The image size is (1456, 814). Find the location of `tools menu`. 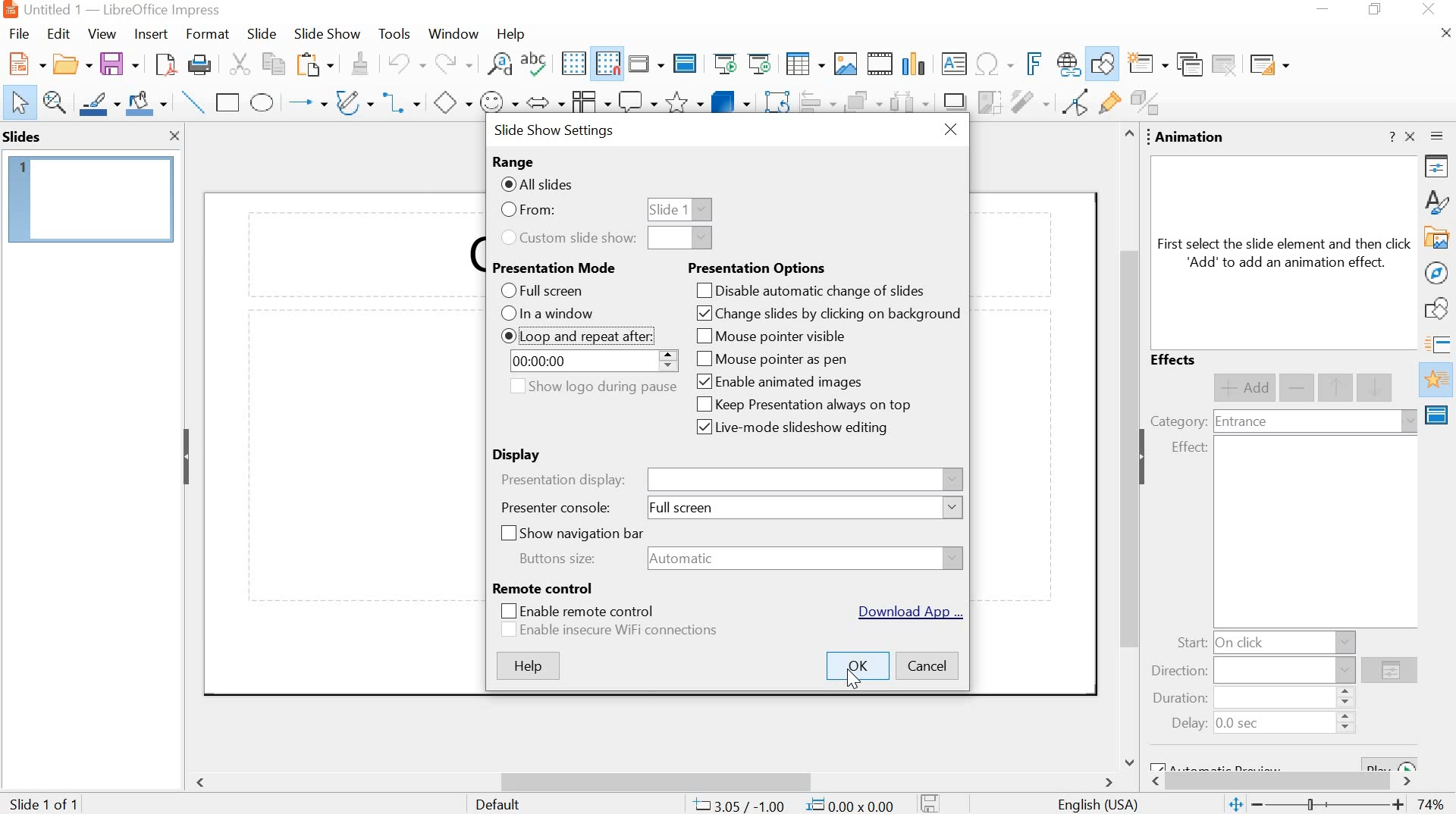

tools menu is located at coordinates (394, 35).